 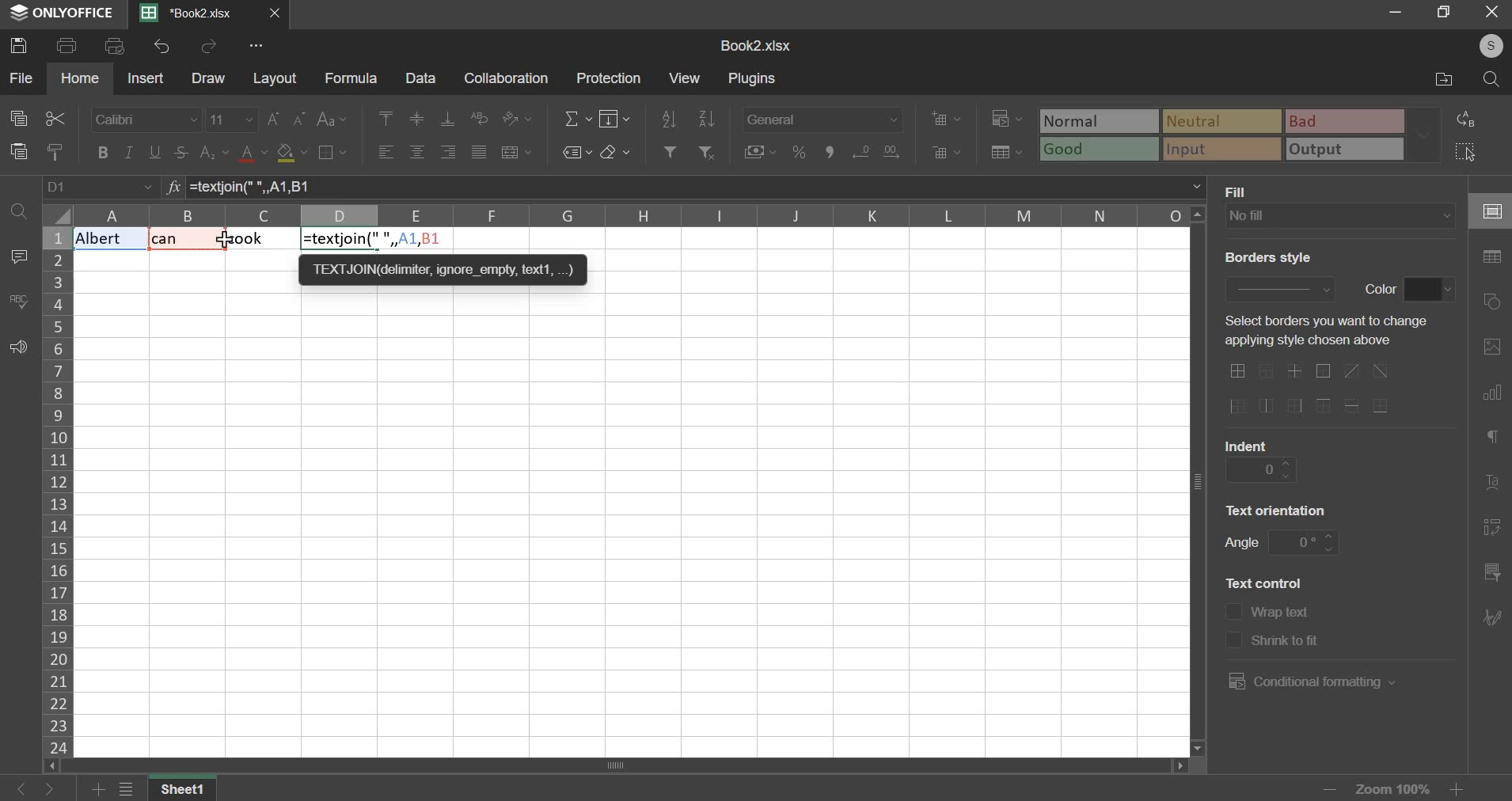 I want to click on border style, so click(x=1278, y=287).